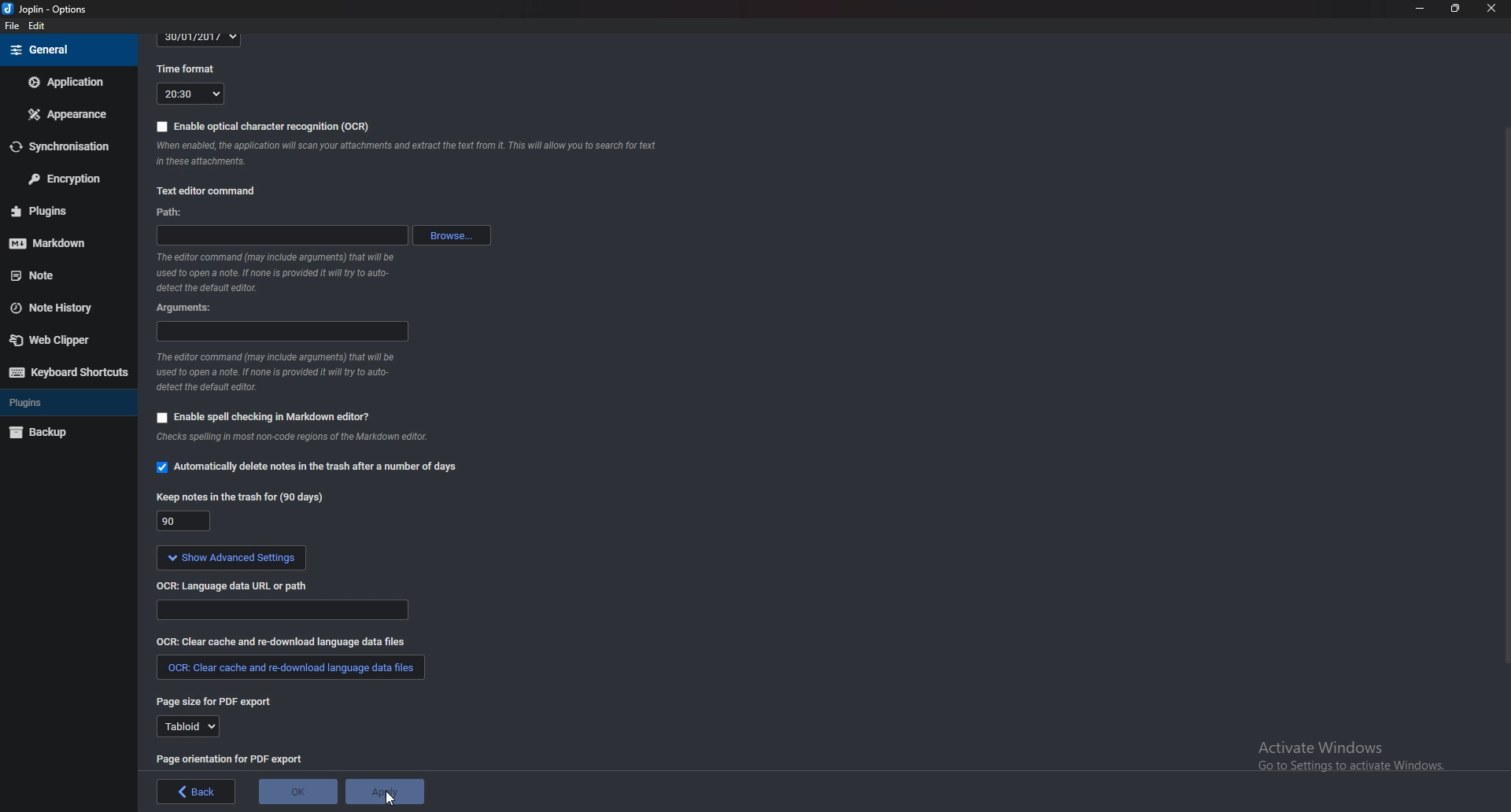 Image resolution: width=1511 pixels, height=812 pixels. Describe the element at coordinates (185, 214) in the screenshot. I see `path` at that location.